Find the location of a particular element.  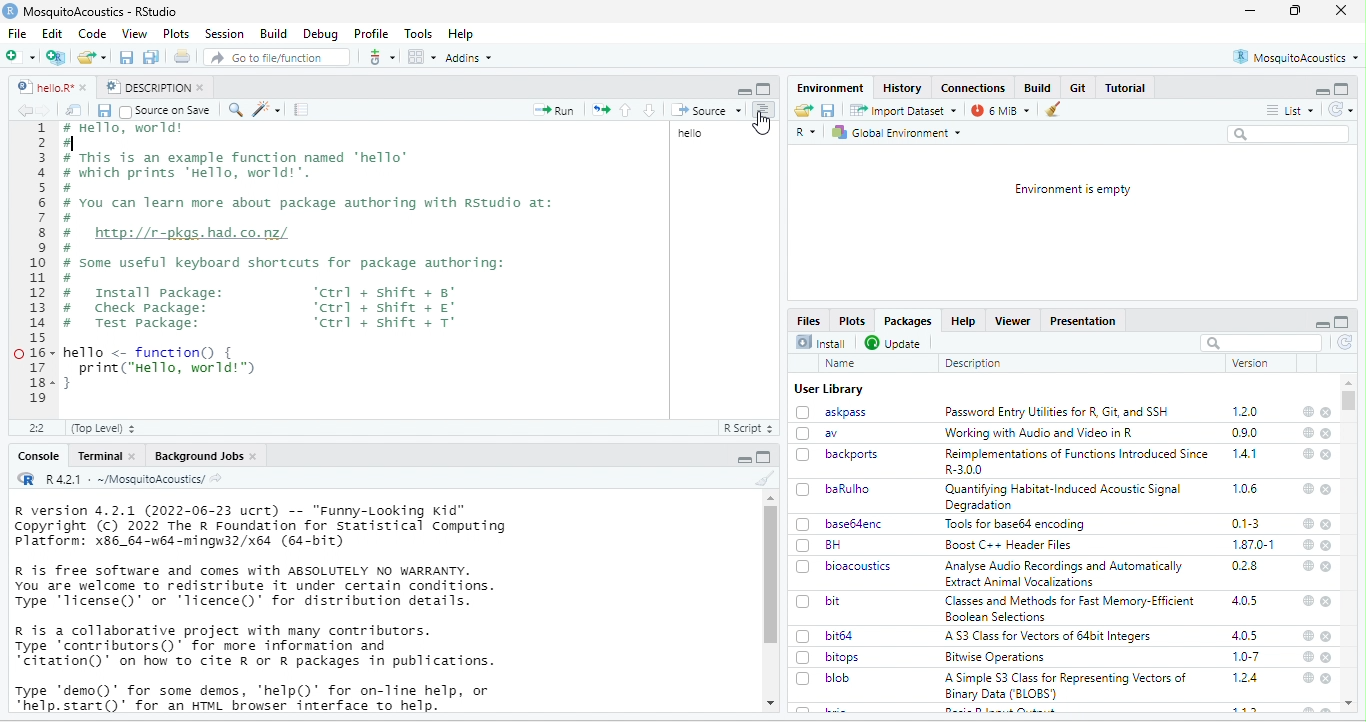

full screen is located at coordinates (1294, 10).